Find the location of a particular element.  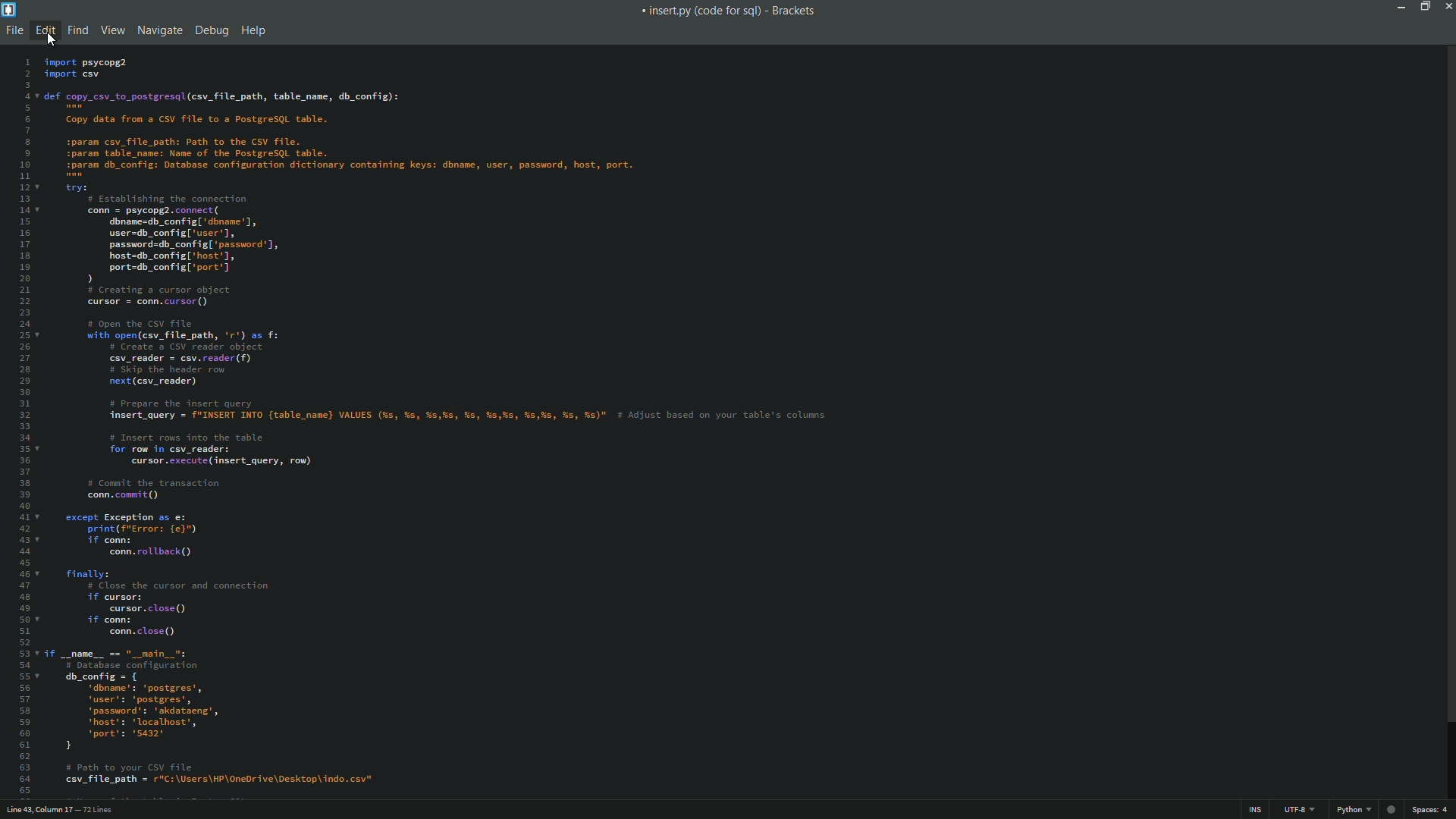

navigate menu is located at coordinates (157, 30).